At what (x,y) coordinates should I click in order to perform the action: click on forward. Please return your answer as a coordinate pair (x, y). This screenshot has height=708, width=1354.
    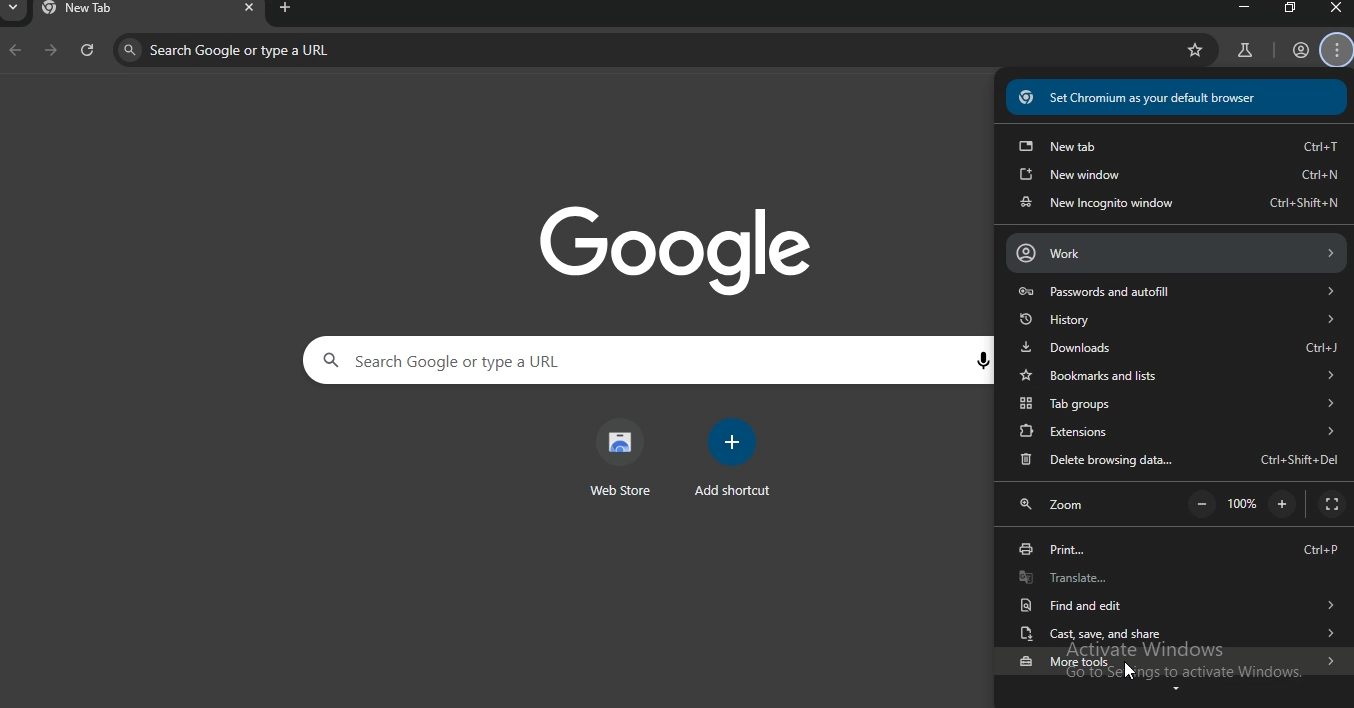
    Looking at the image, I should click on (49, 51).